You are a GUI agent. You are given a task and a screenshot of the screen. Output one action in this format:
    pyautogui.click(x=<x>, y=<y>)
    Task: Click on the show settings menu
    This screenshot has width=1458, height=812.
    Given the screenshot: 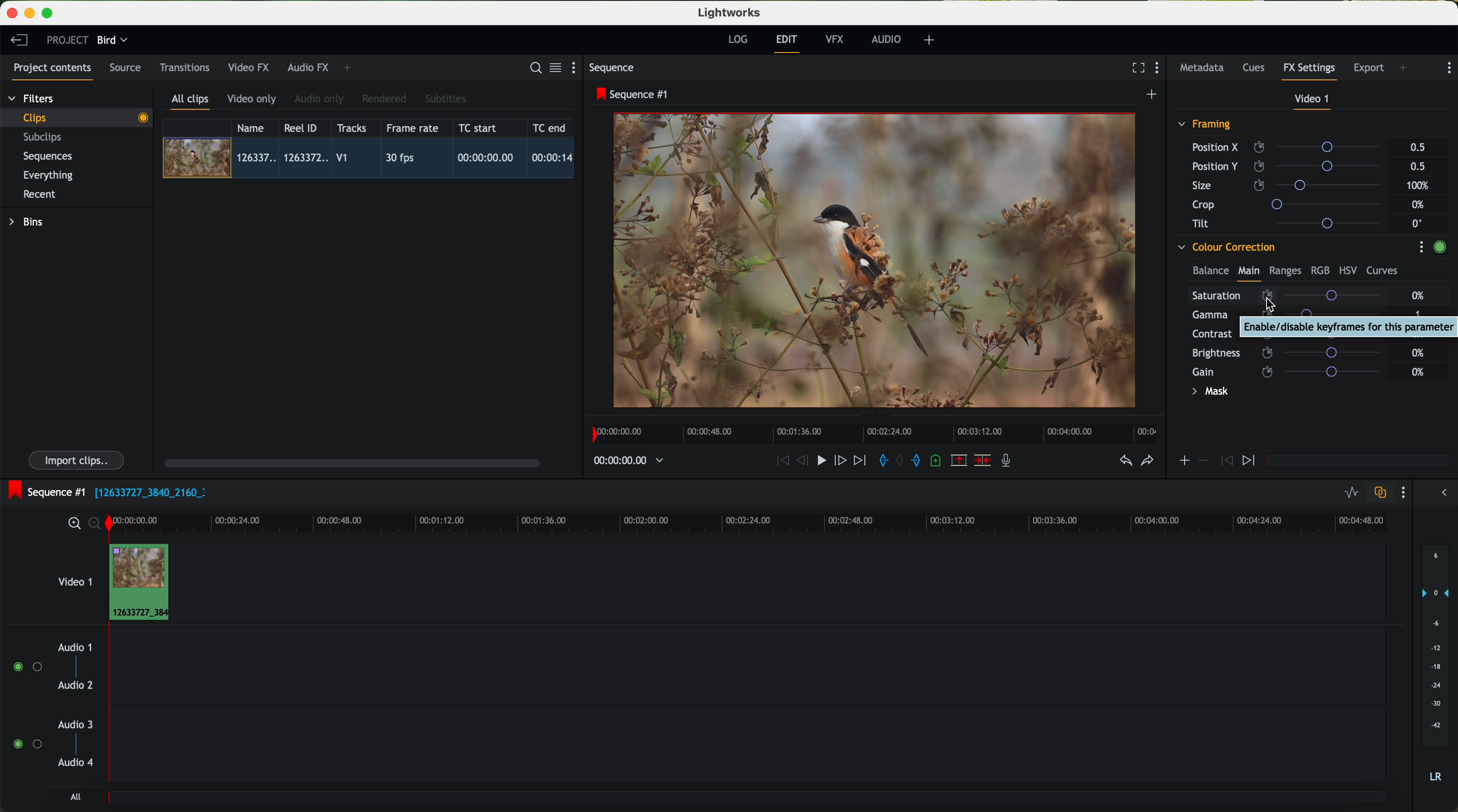 What is the action you would take?
    pyautogui.click(x=1421, y=247)
    